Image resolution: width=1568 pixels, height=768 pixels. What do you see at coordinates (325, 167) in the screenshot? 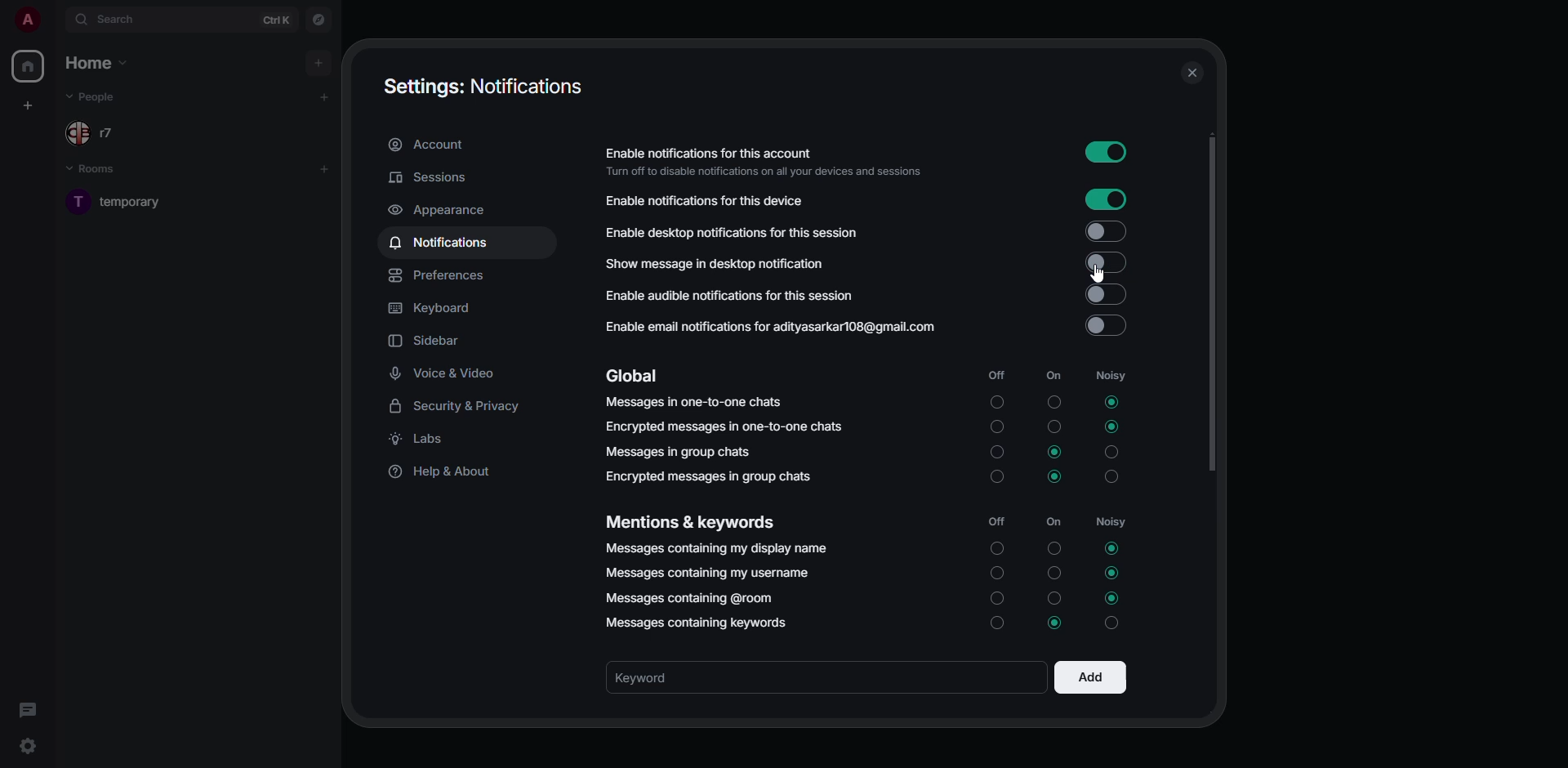
I see `add` at bounding box center [325, 167].